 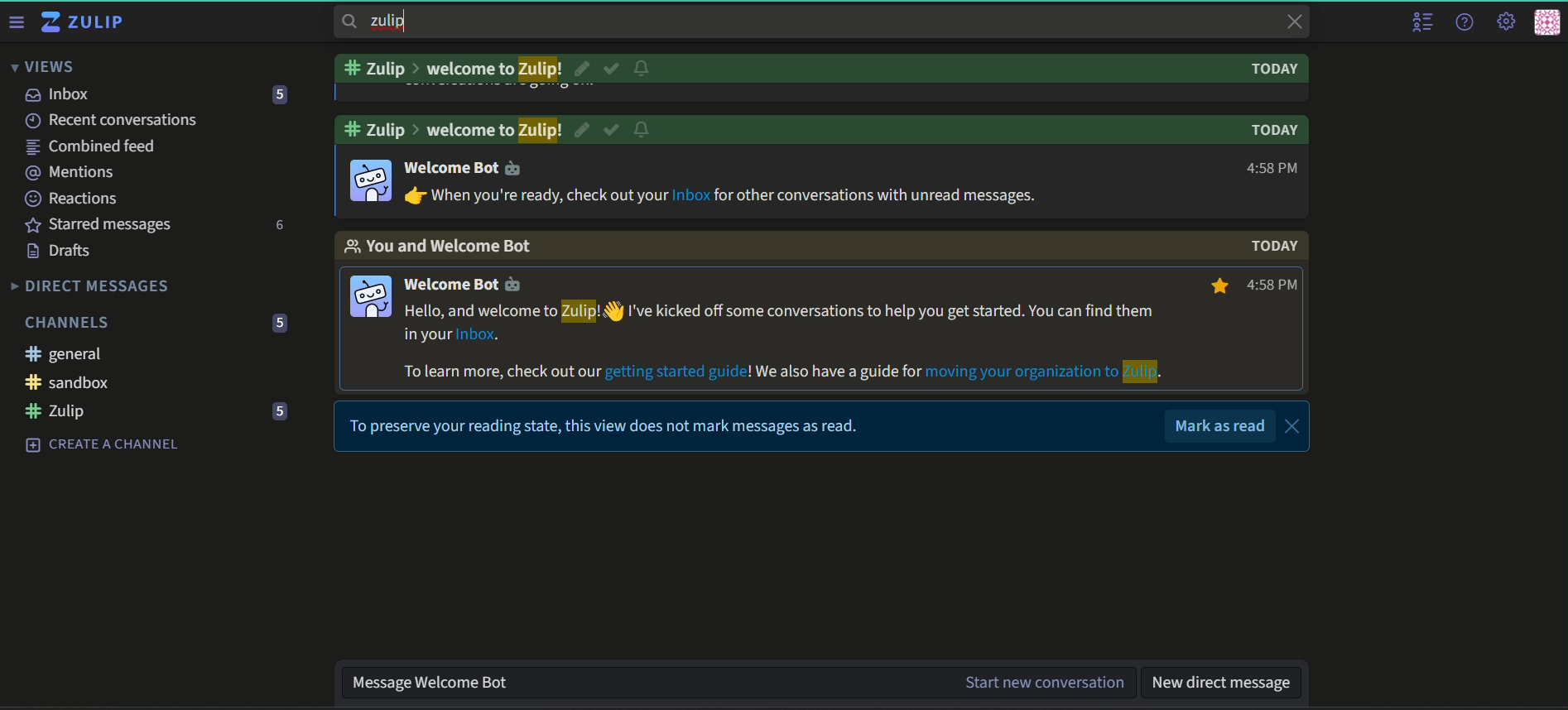 What do you see at coordinates (278, 94) in the screenshot?
I see `number` at bounding box center [278, 94].